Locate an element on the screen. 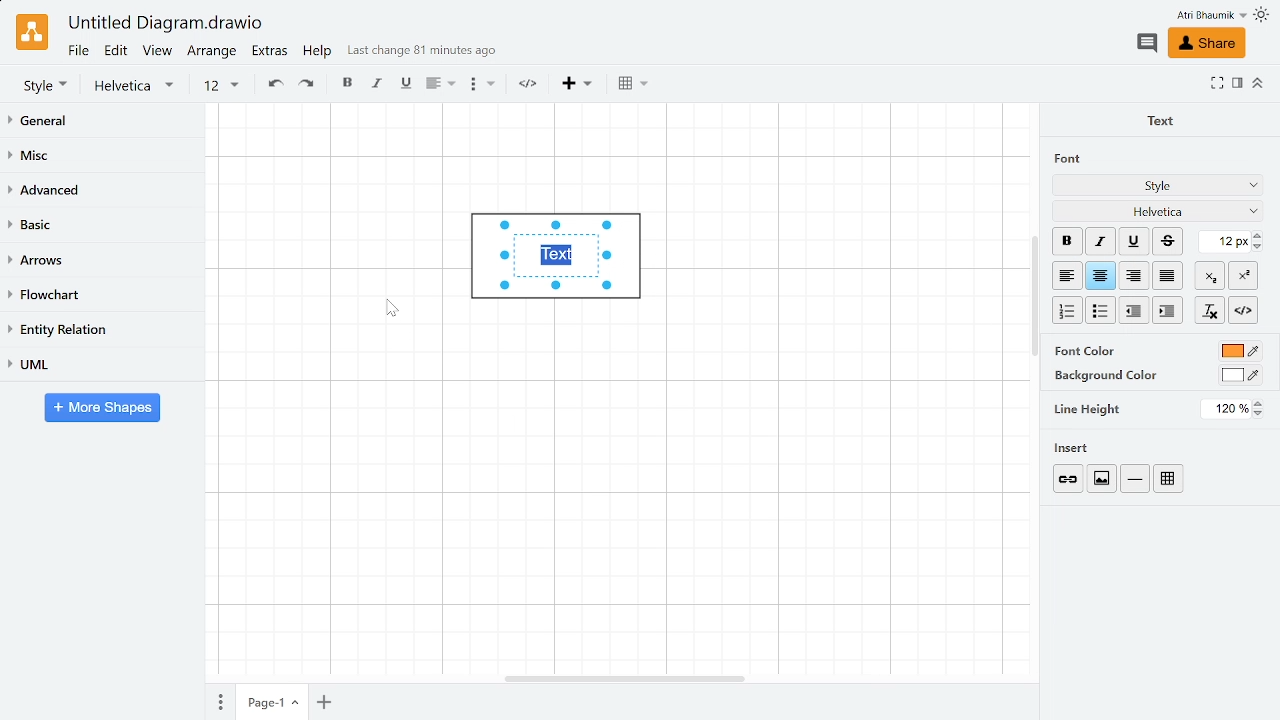 The image size is (1280, 720). Cursor is located at coordinates (398, 316).